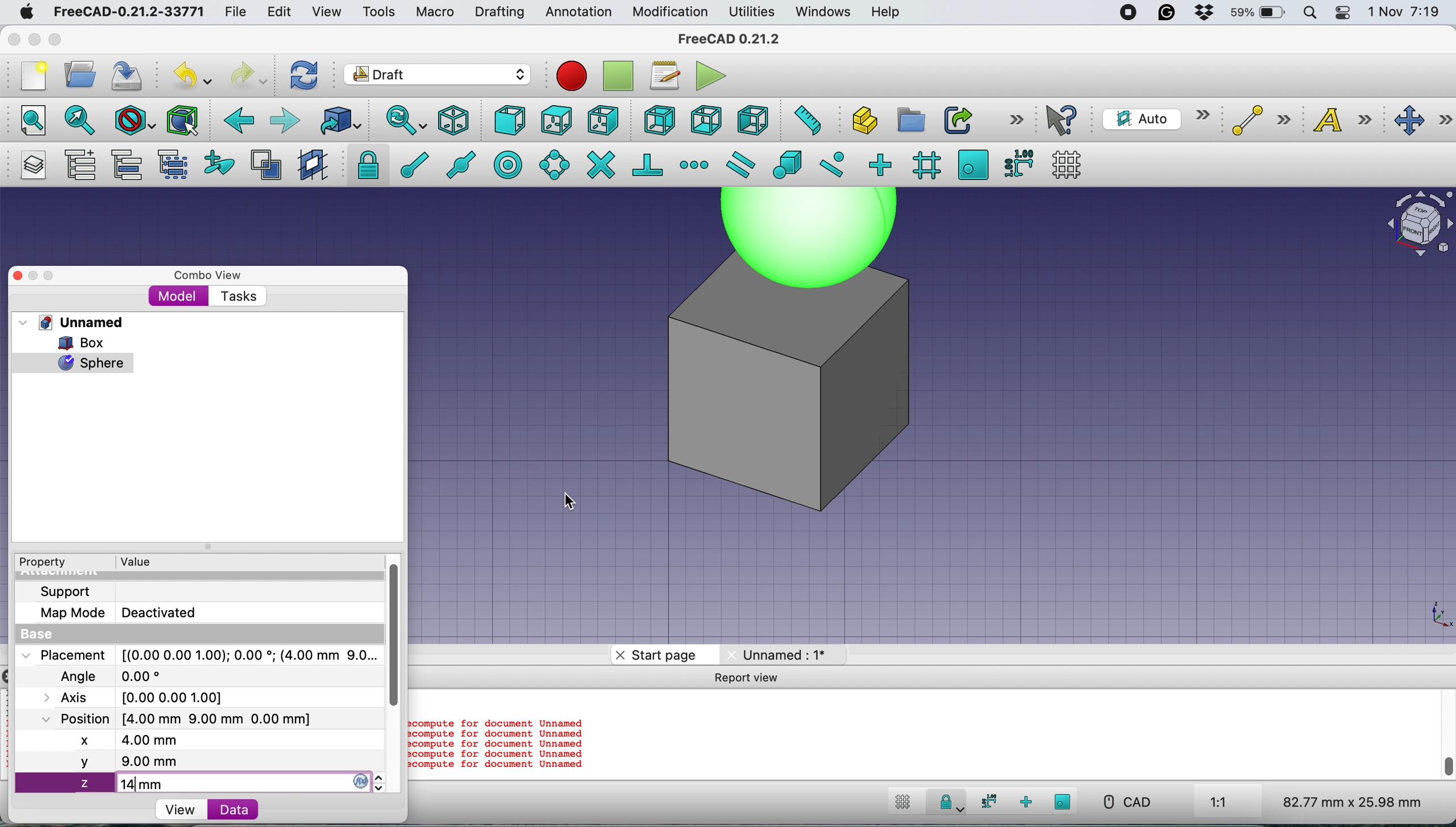 This screenshot has width=1456, height=827. Describe the element at coordinates (738, 165) in the screenshot. I see `snap parallel` at that location.